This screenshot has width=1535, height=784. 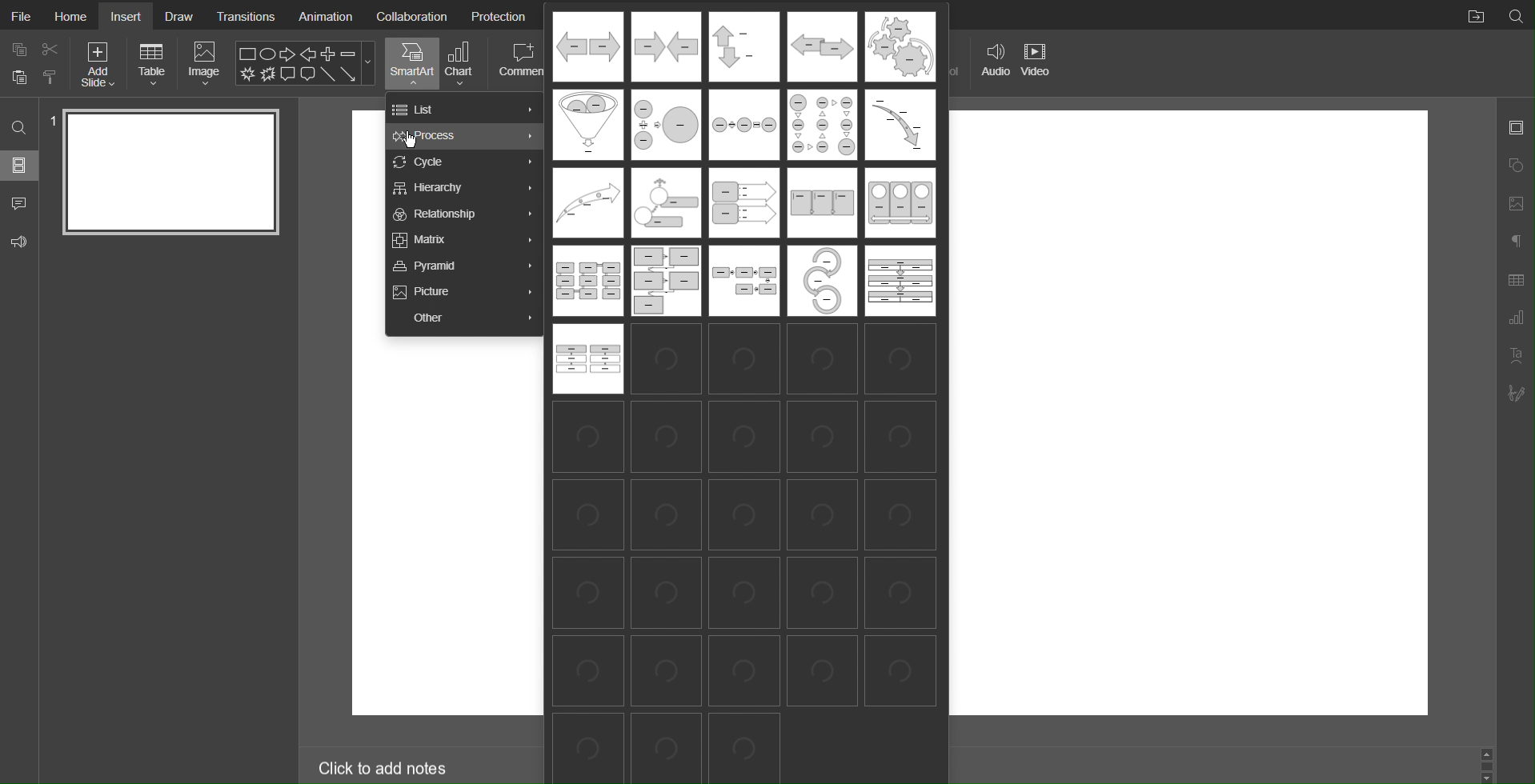 I want to click on Add Slide, so click(x=100, y=65).